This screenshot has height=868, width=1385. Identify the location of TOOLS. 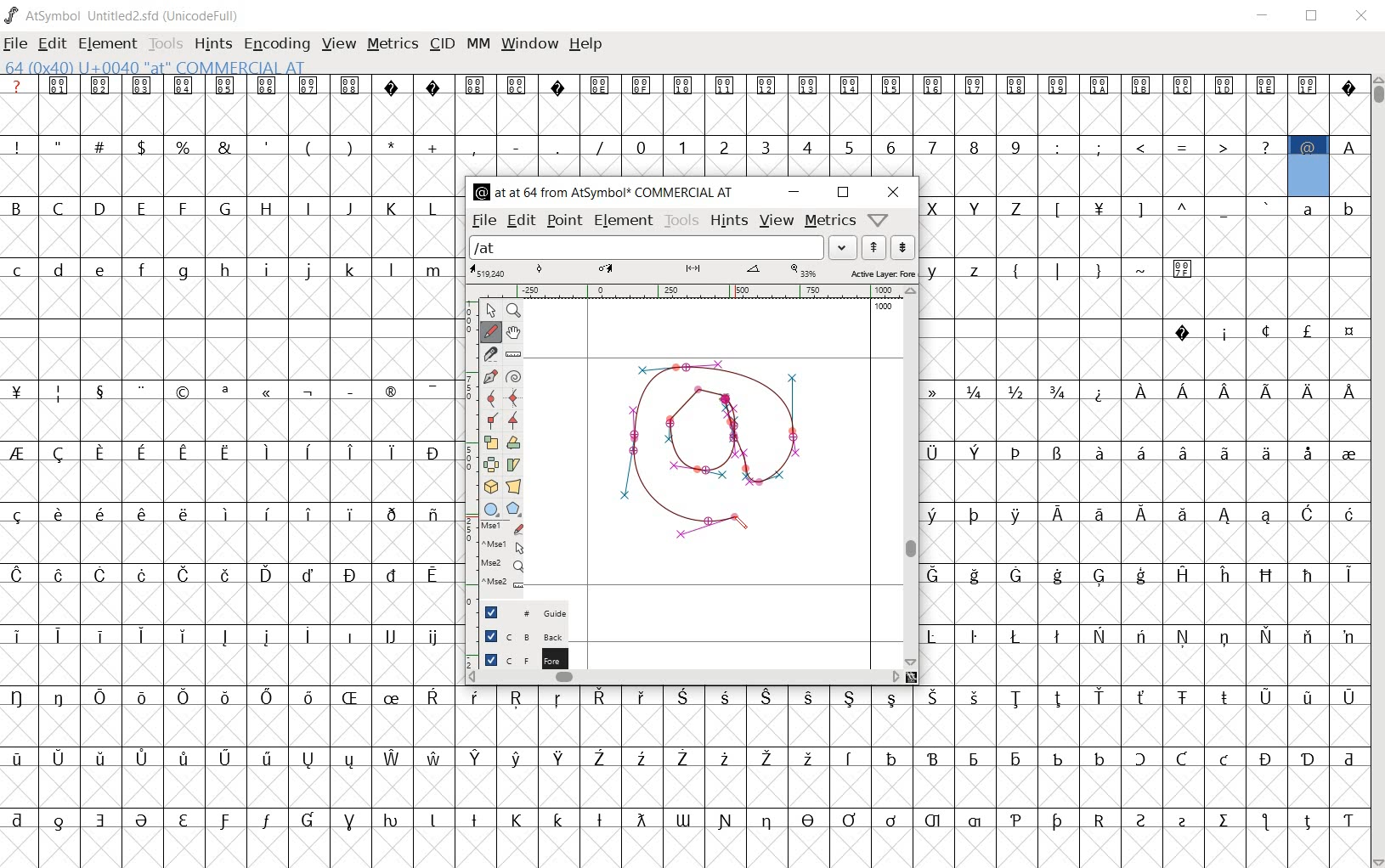
(165, 45).